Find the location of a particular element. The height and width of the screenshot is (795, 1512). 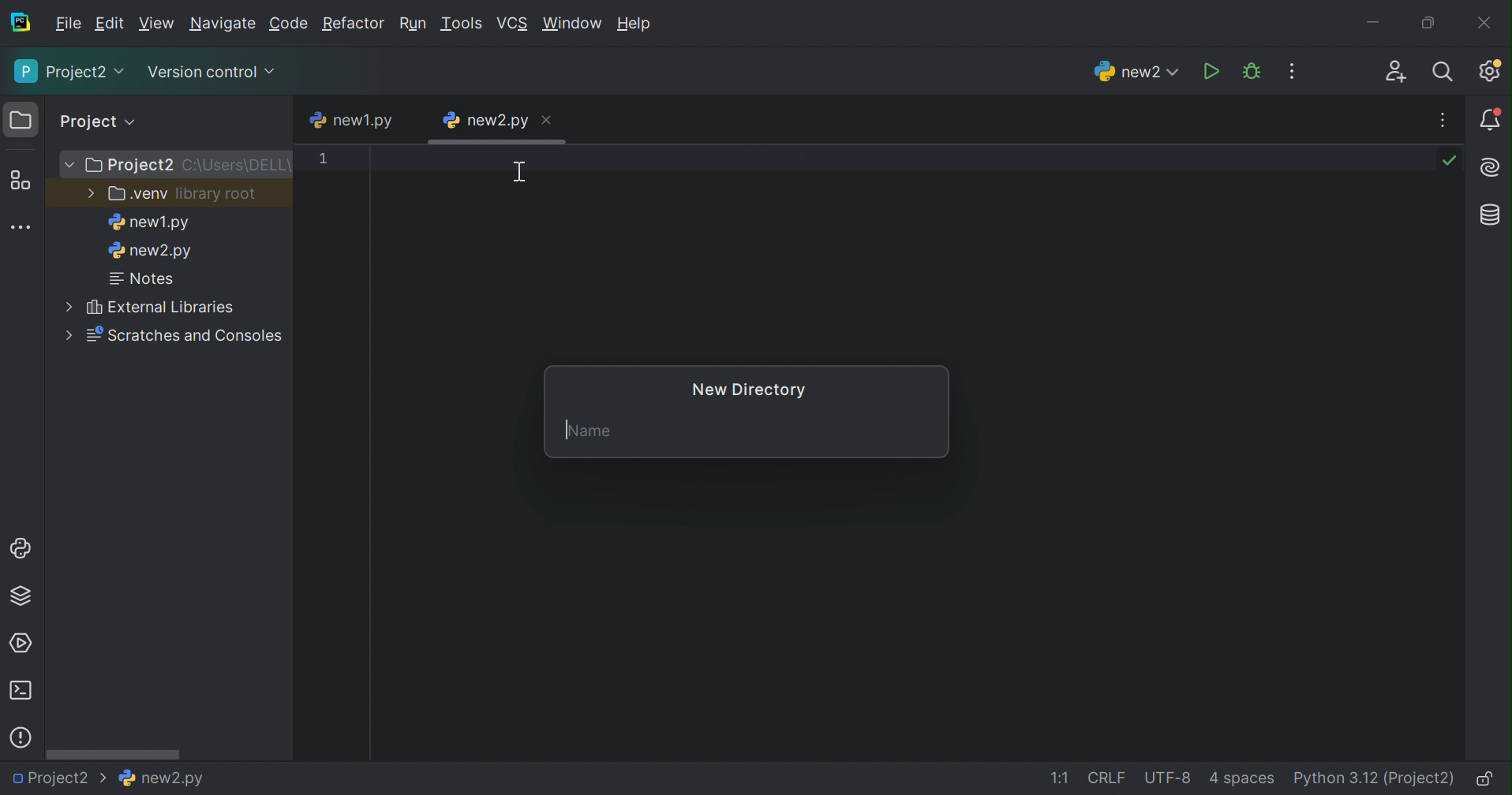

Version control is located at coordinates (211, 70).